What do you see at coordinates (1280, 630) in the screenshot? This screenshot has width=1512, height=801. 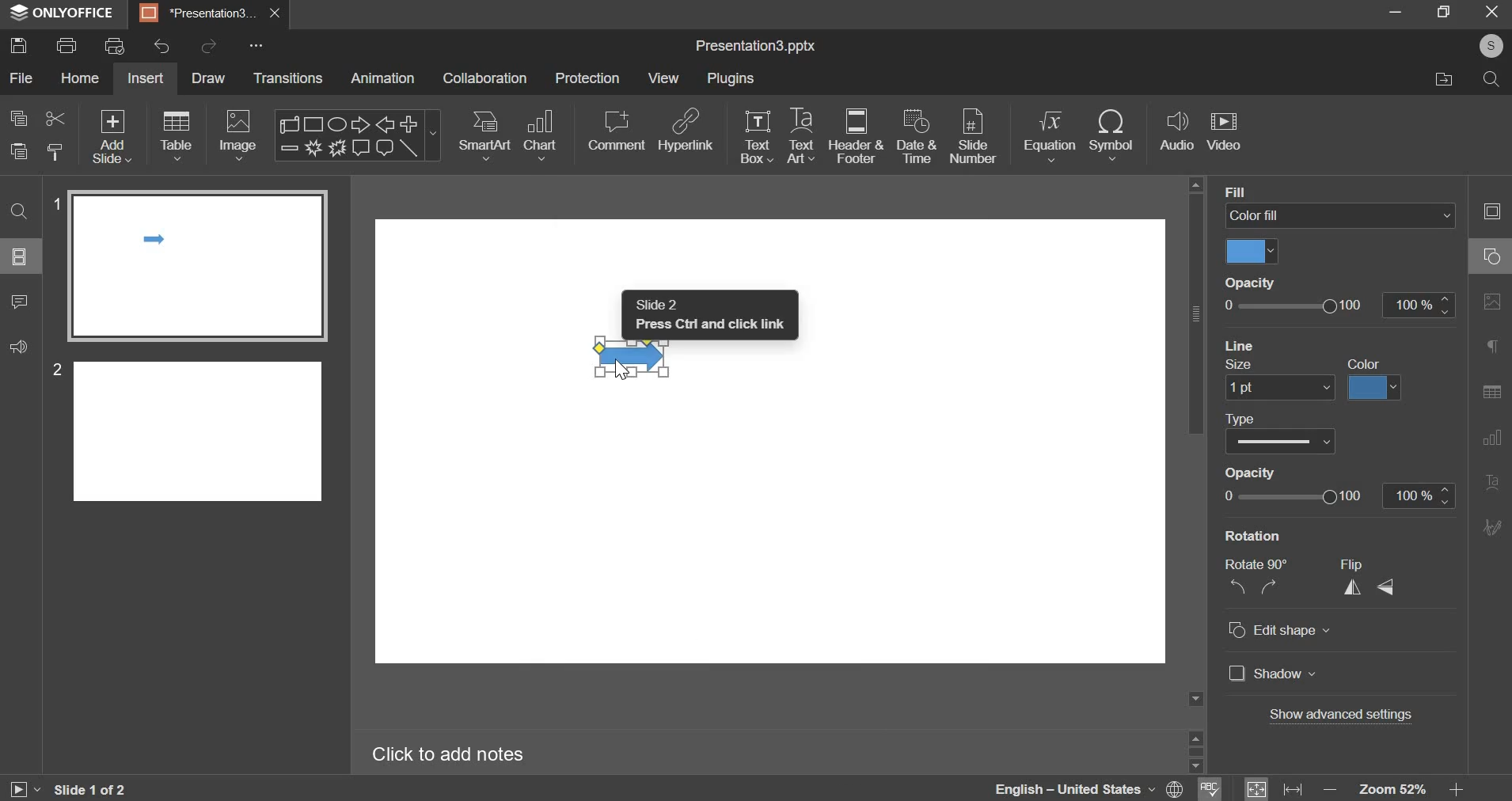 I see `edit shape` at bounding box center [1280, 630].